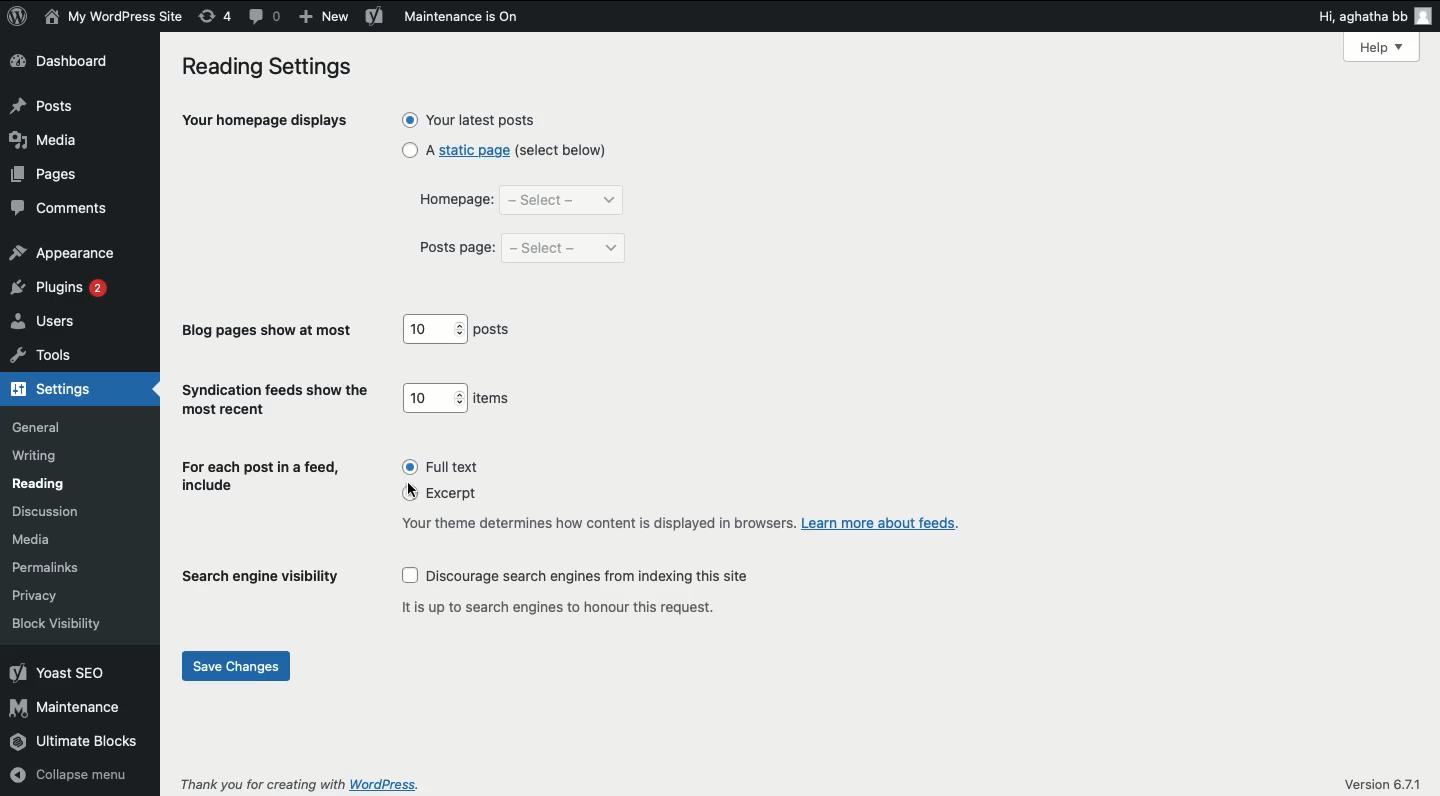 Image resolution: width=1440 pixels, height=796 pixels. Describe the element at coordinates (273, 68) in the screenshot. I see `reading settings` at that location.